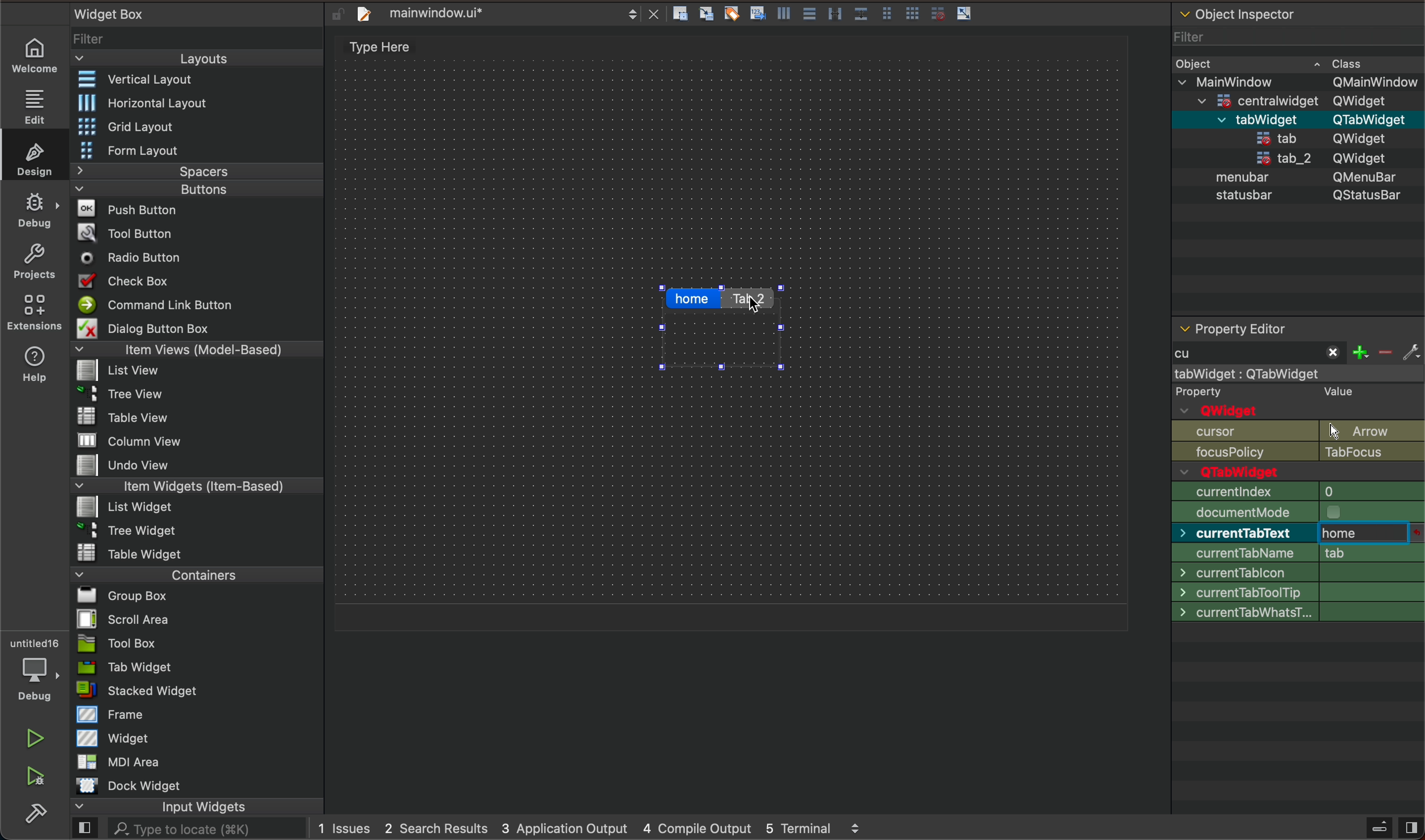 This screenshot has width=1425, height=840. What do you see at coordinates (122, 593) in the screenshot?
I see `Bl Group Box` at bounding box center [122, 593].